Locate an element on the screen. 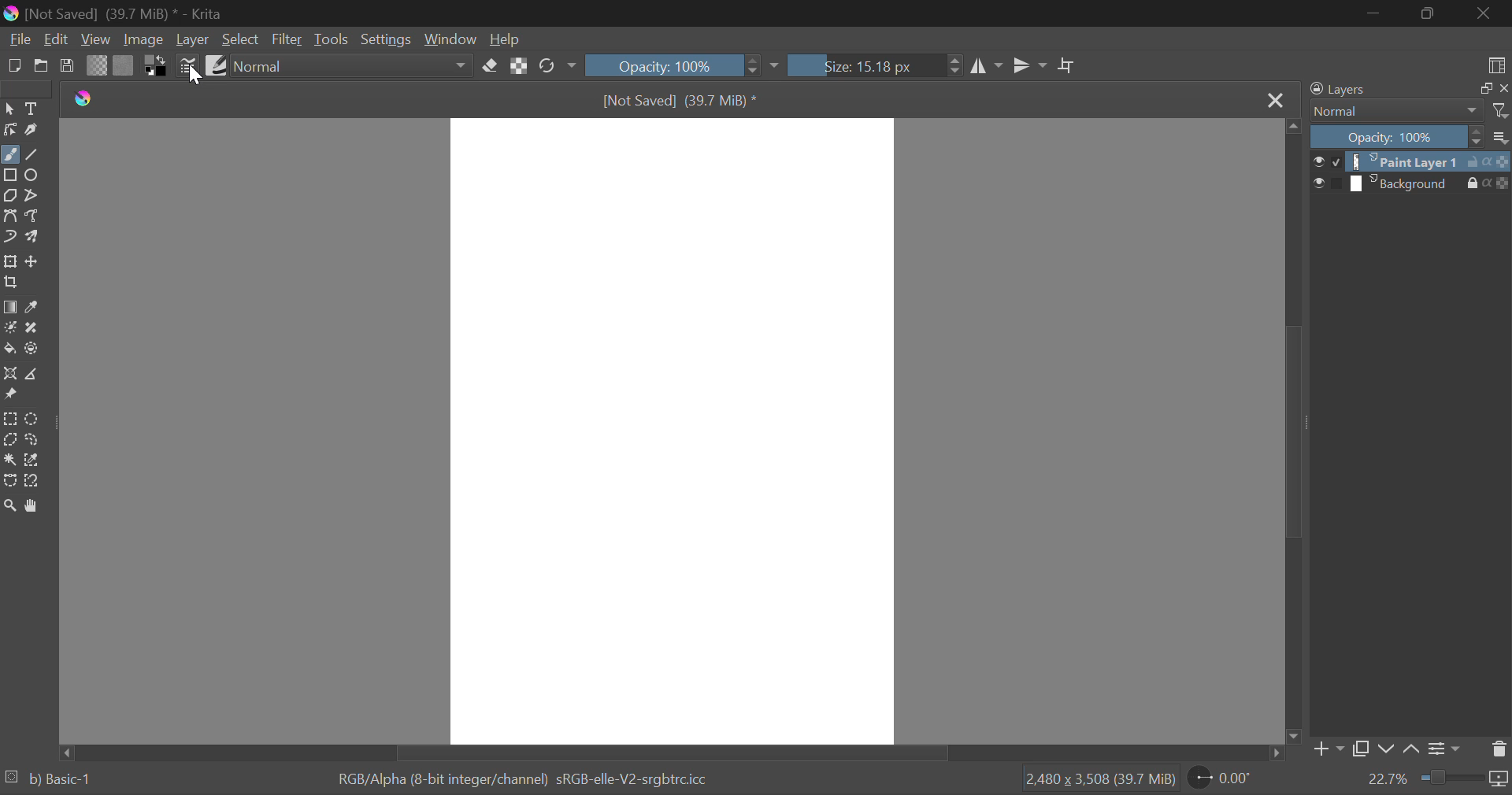  Restore Down is located at coordinates (1374, 15).